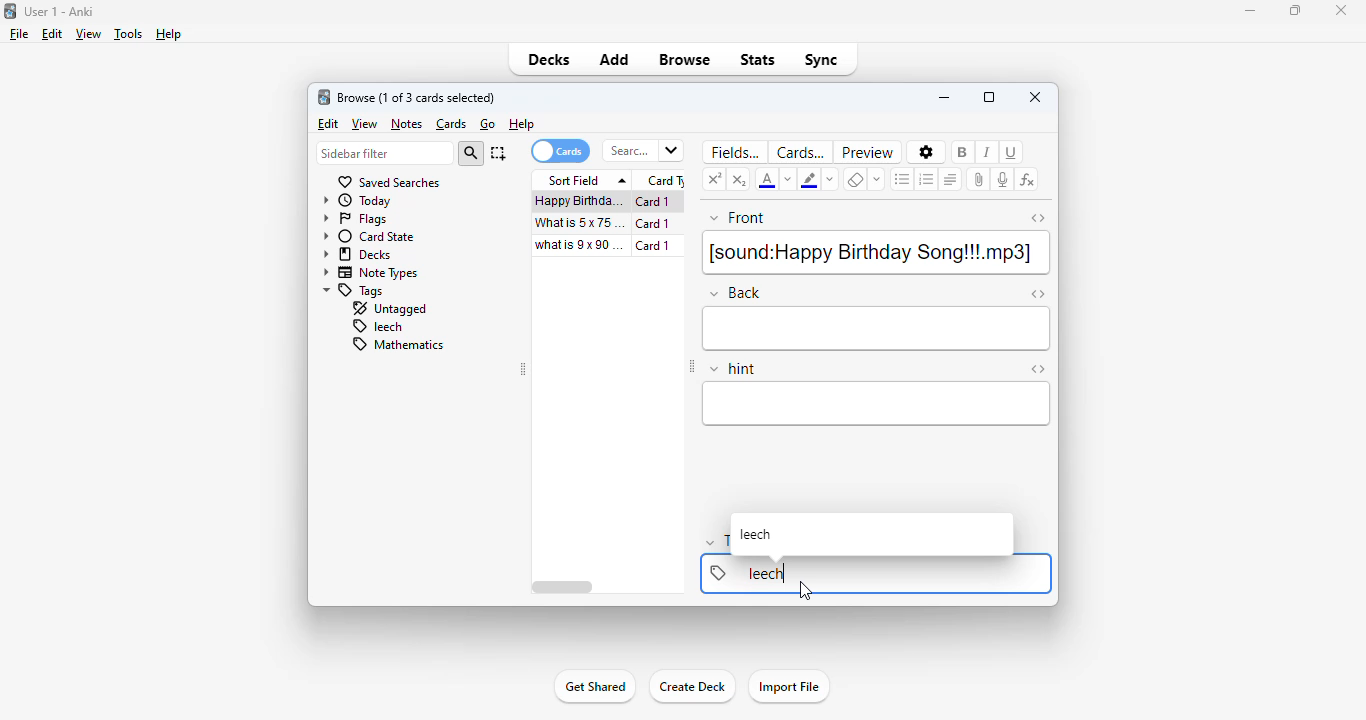  What do you see at coordinates (52, 34) in the screenshot?
I see `edit` at bounding box center [52, 34].